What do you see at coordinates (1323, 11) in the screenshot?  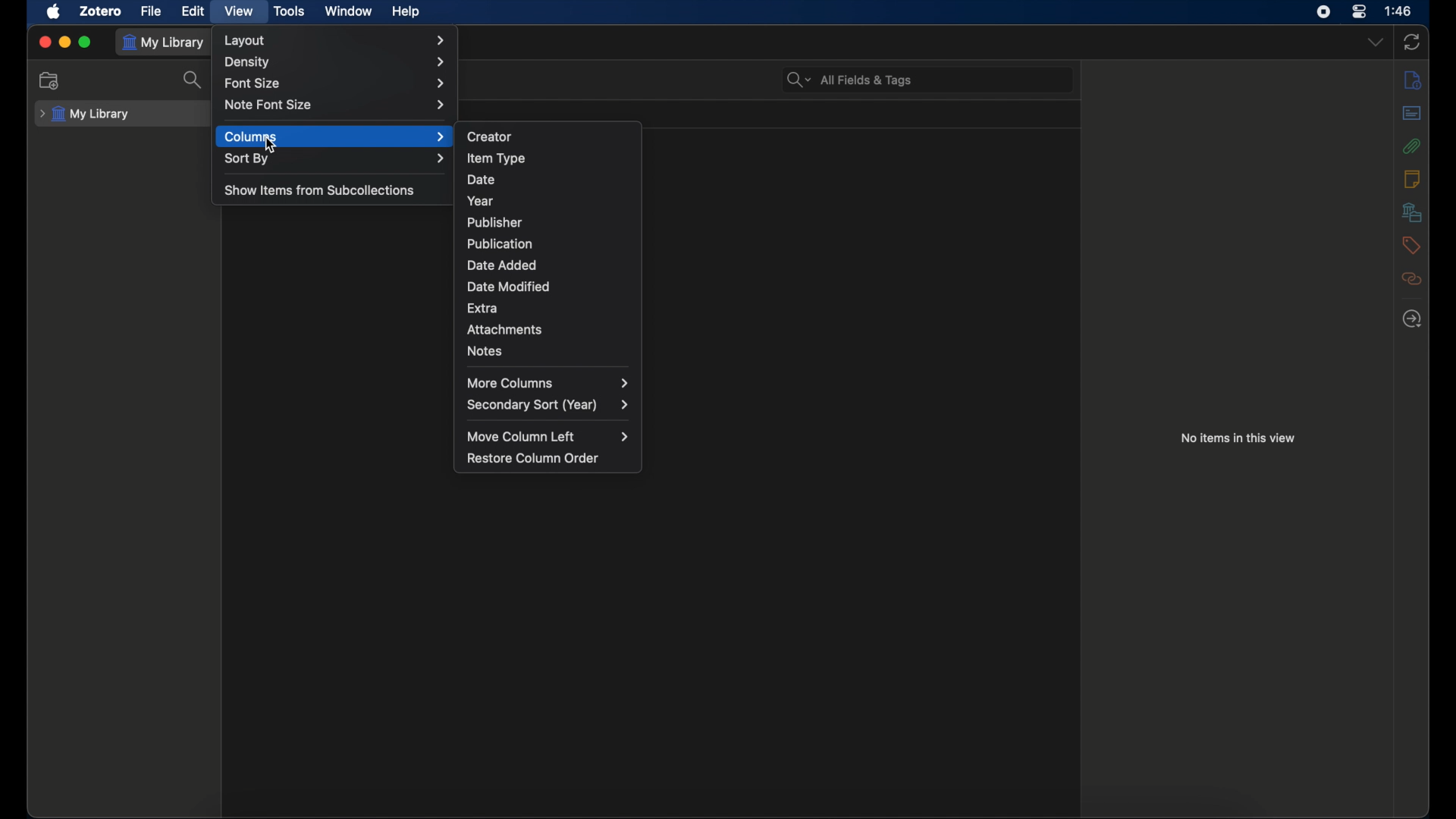 I see `screen recorder` at bounding box center [1323, 11].